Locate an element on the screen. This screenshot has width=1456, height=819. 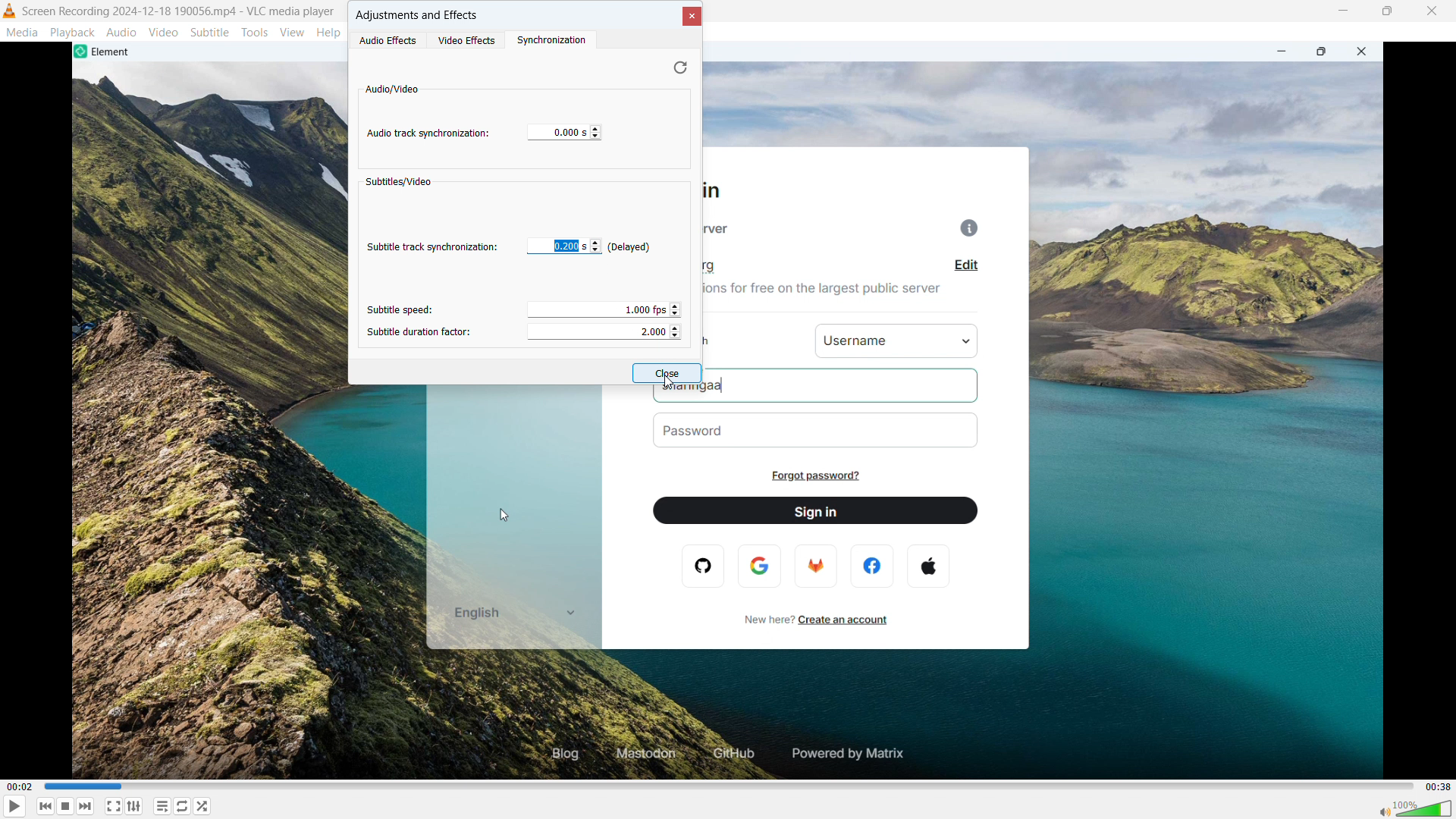
minimize is located at coordinates (1341, 10).